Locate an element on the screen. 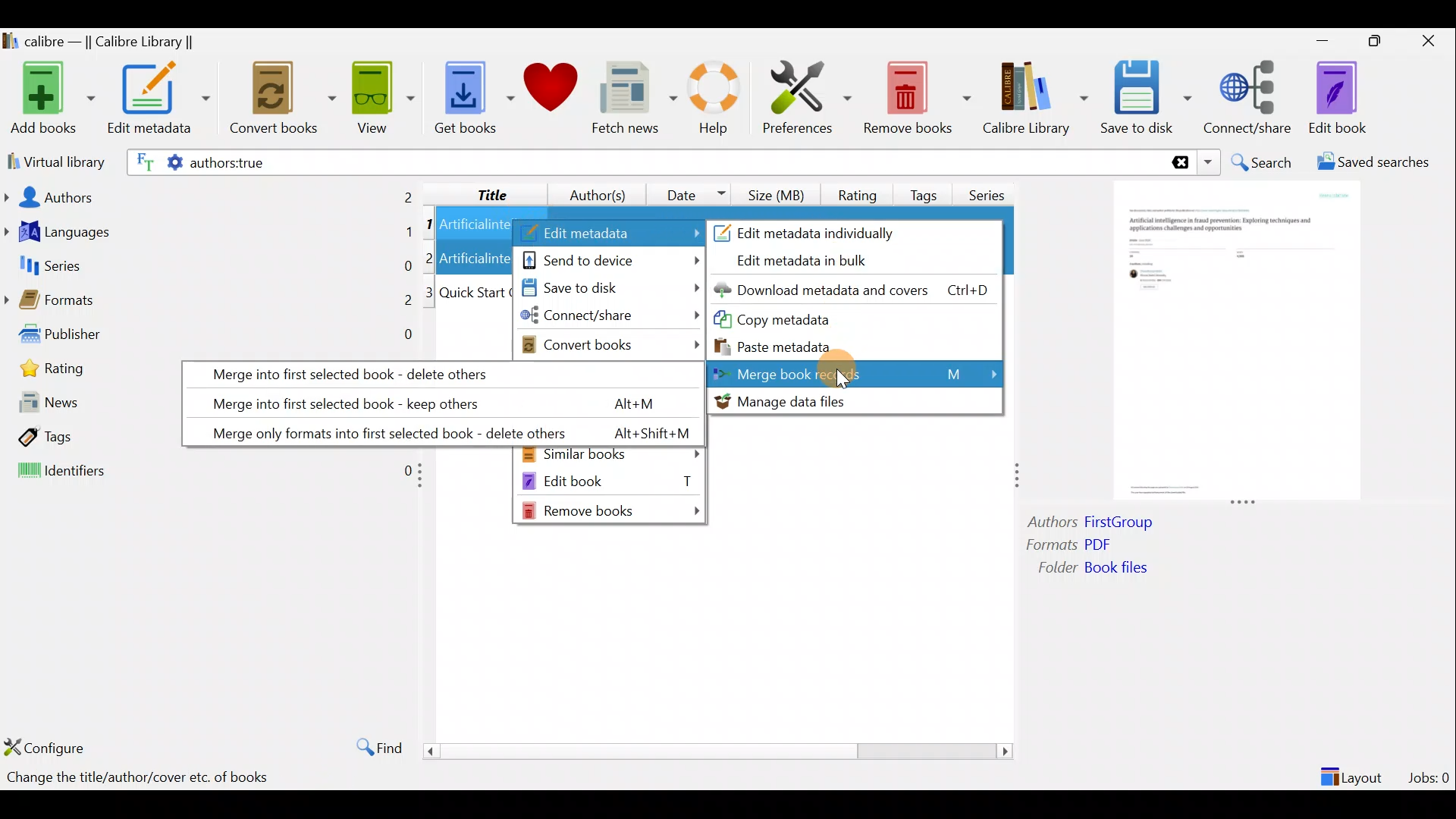  3 is located at coordinates (430, 293).